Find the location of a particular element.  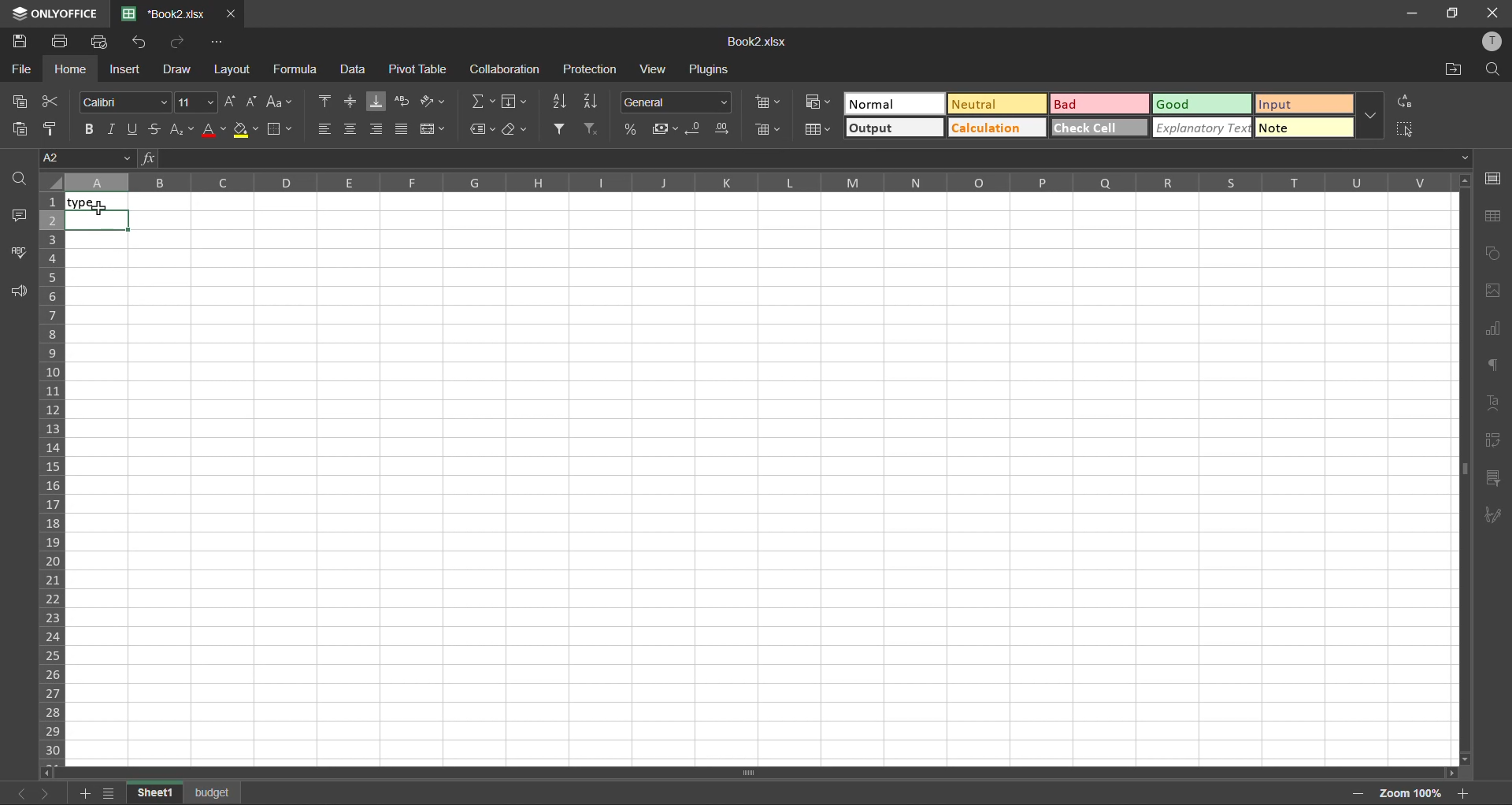

align center is located at coordinates (350, 128).